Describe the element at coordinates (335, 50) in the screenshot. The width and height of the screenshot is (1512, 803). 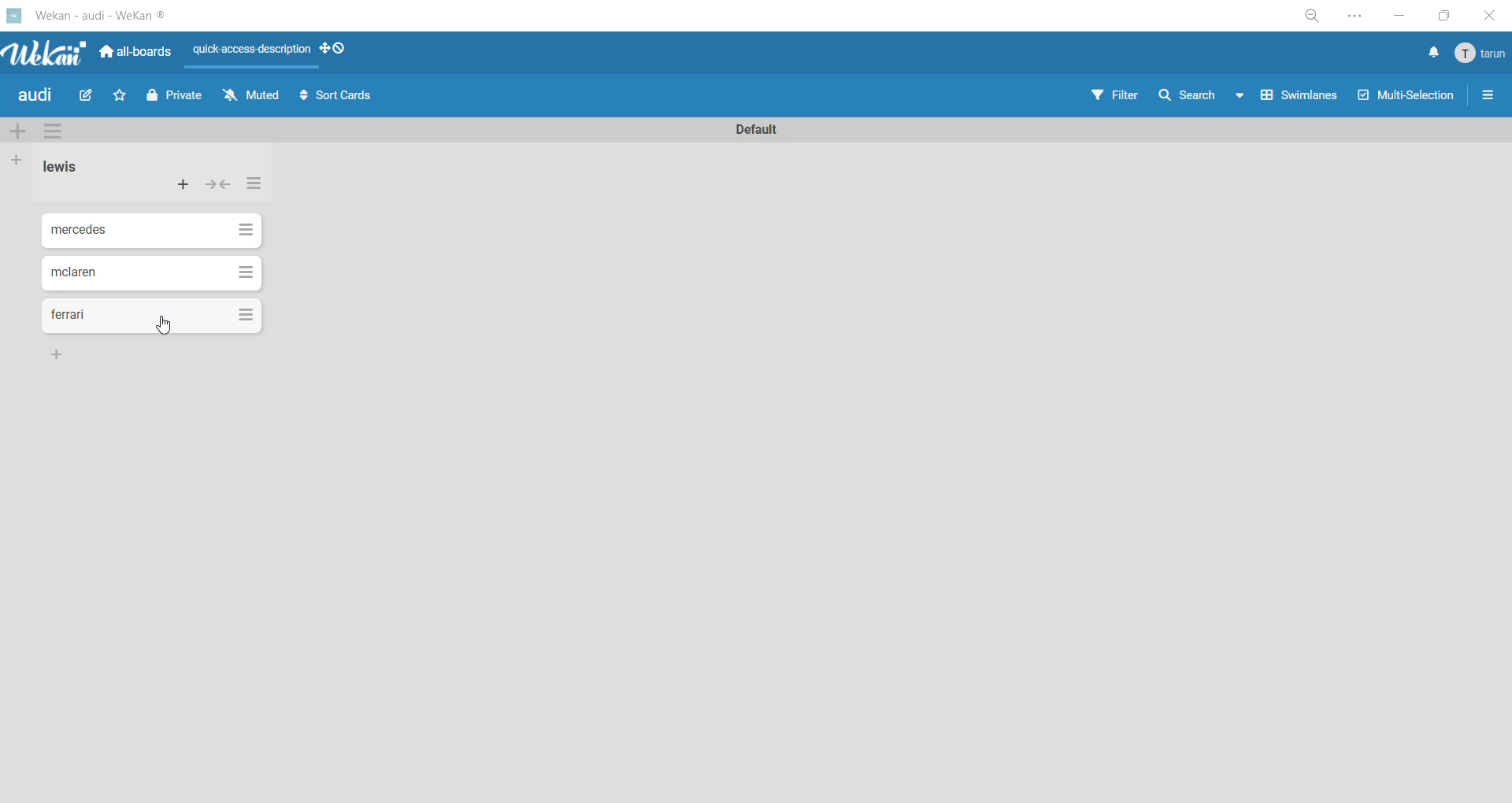
I see `show desktop drag handles` at that location.